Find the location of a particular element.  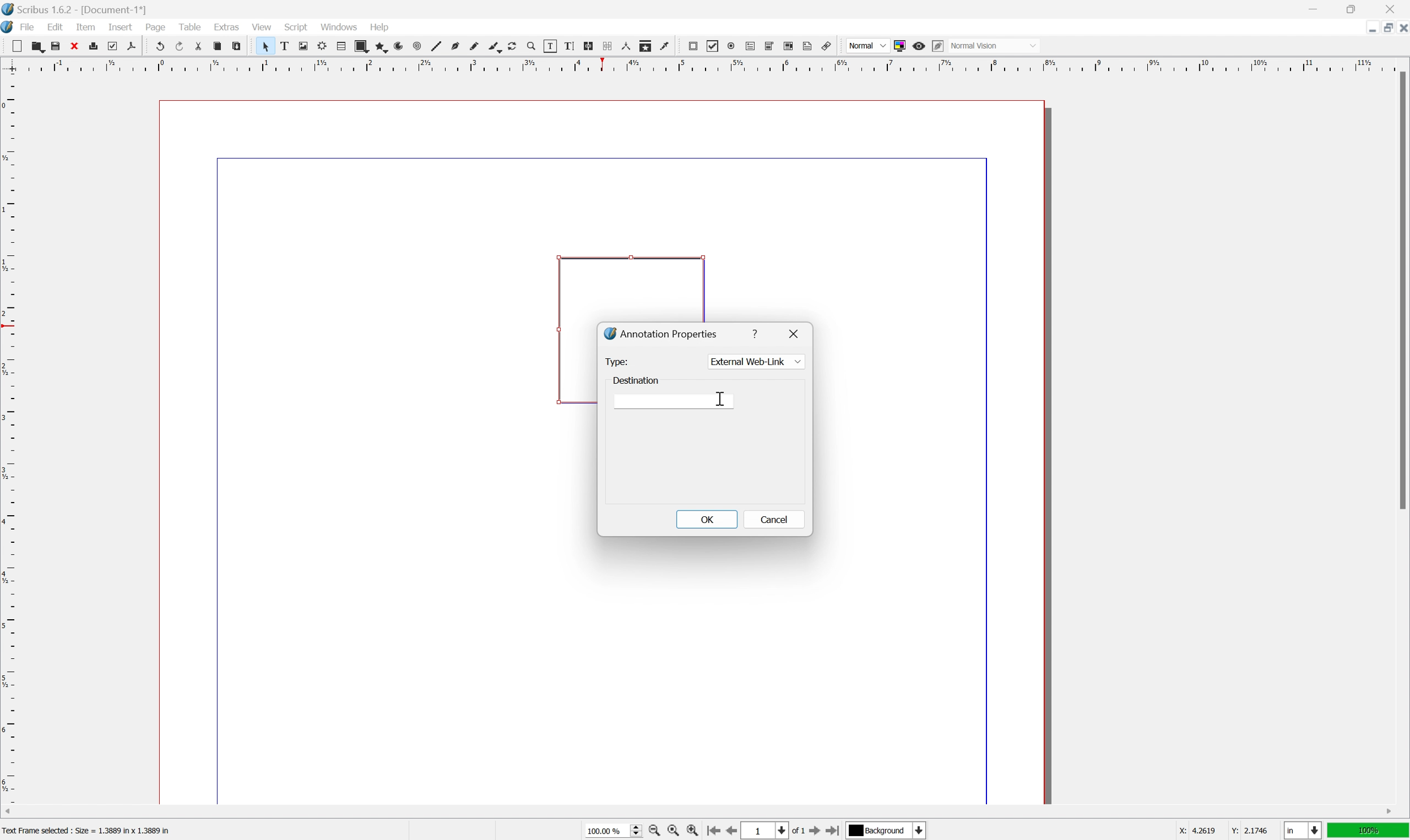

open is located at coordinates (39, 46).